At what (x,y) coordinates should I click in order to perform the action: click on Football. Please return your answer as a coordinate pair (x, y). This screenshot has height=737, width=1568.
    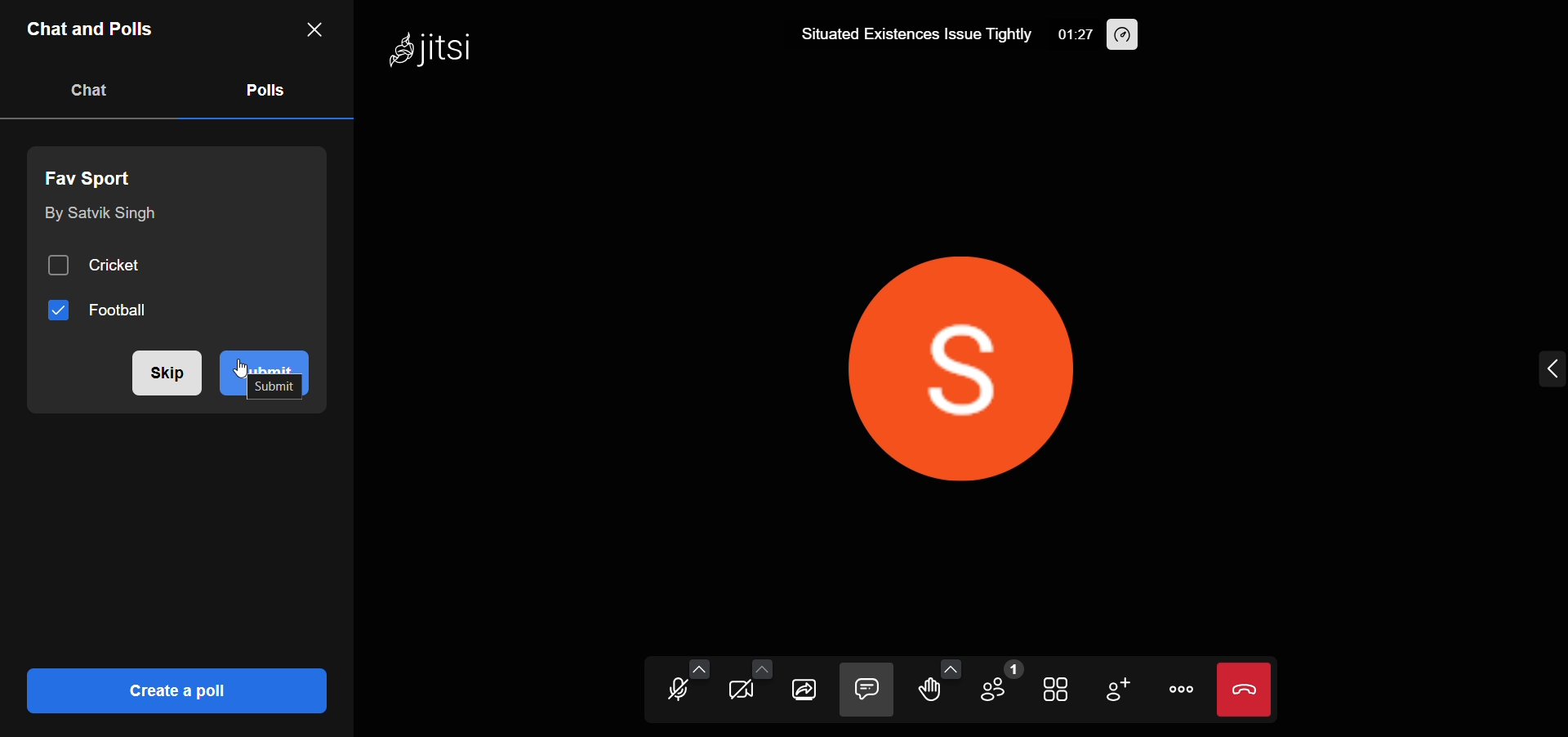
    Looking at the image, I should click on (99, 309).